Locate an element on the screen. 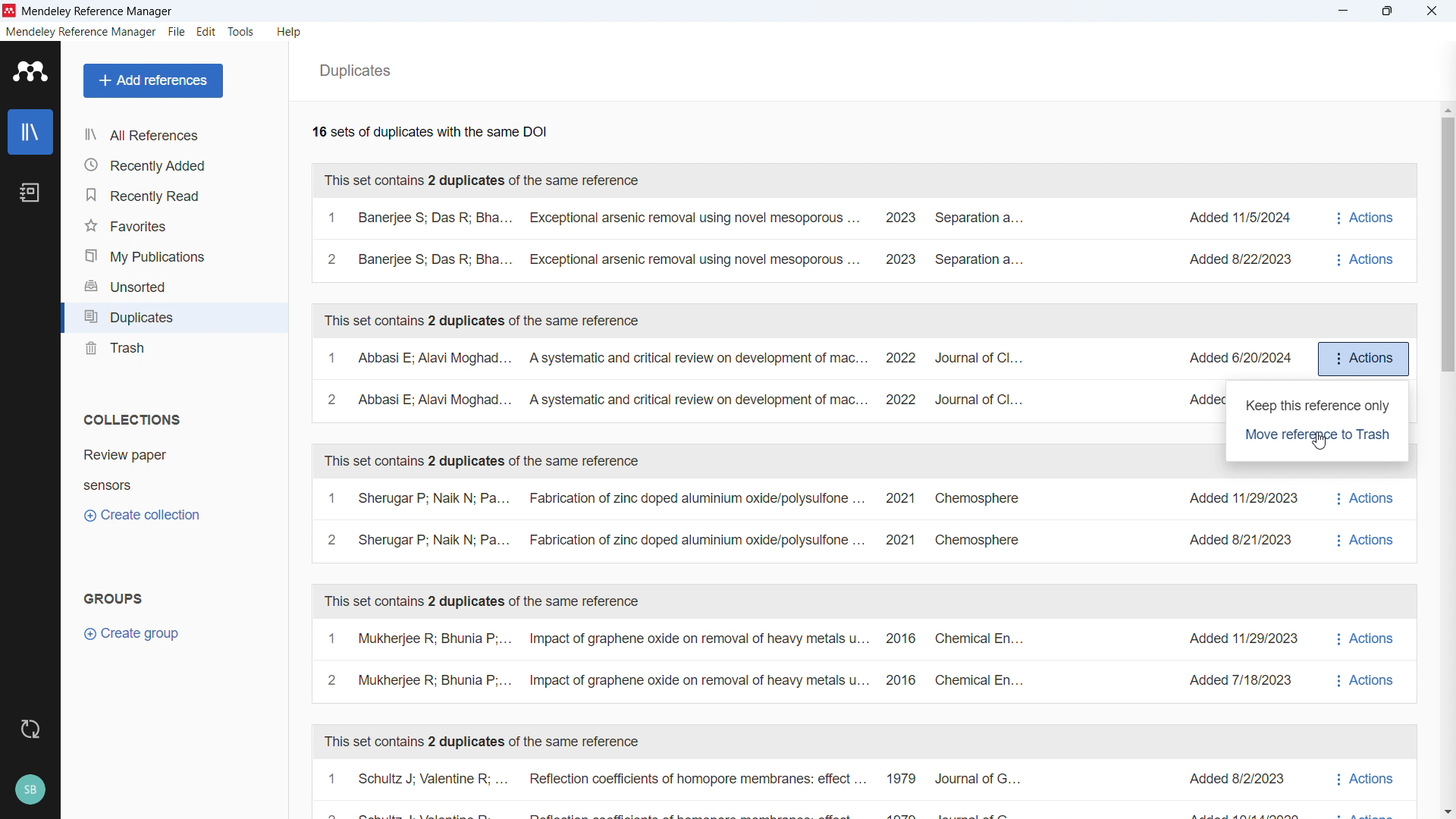 The height and width of the screenshot is (819, 1456). Create group  is located at coordinates (134, 635).